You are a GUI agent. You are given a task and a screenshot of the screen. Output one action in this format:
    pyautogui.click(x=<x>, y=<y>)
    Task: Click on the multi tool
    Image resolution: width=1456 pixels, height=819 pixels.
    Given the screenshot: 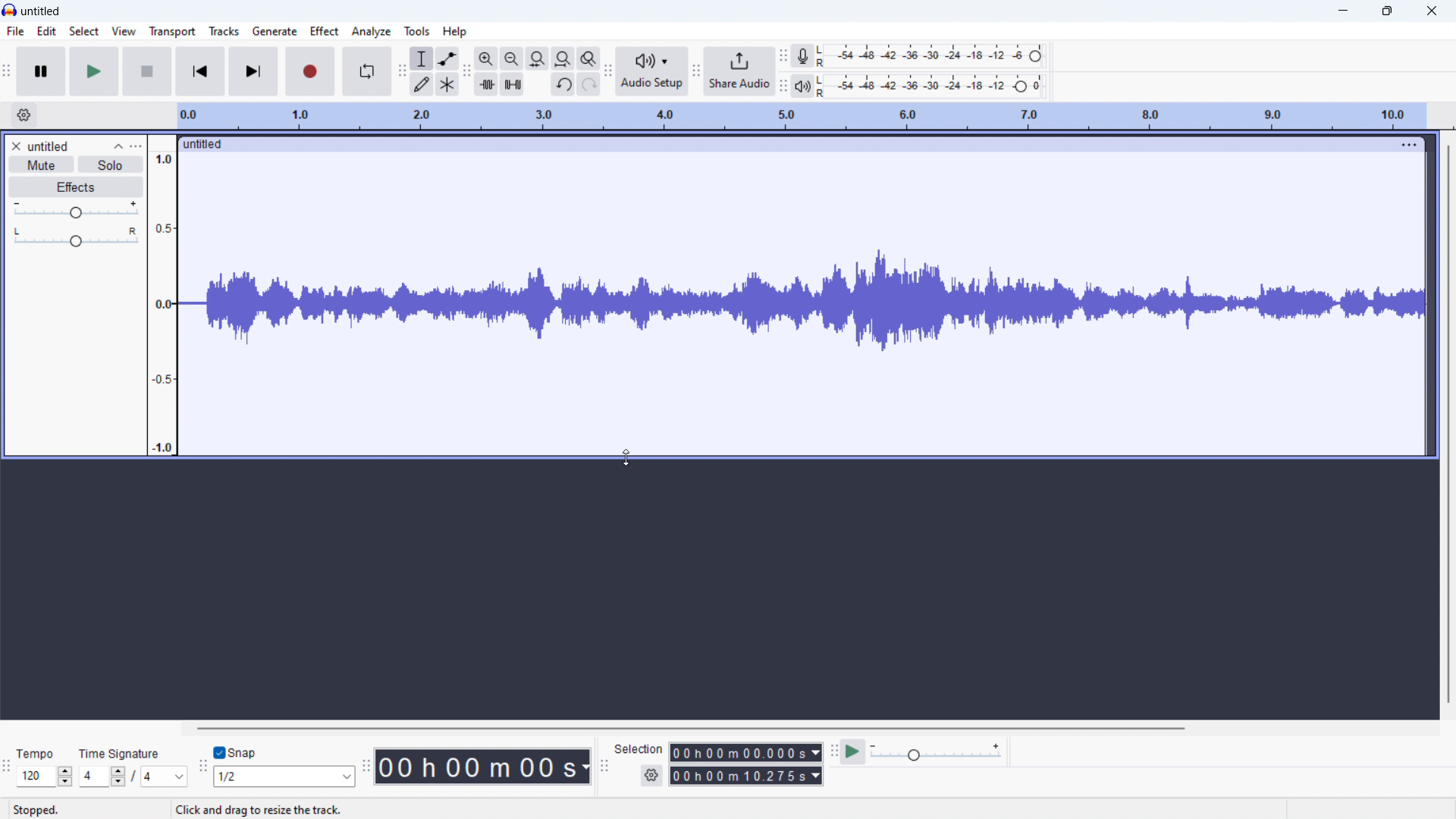 What is the action you would take?
    pyautogui.click(x=447, y=84)
    